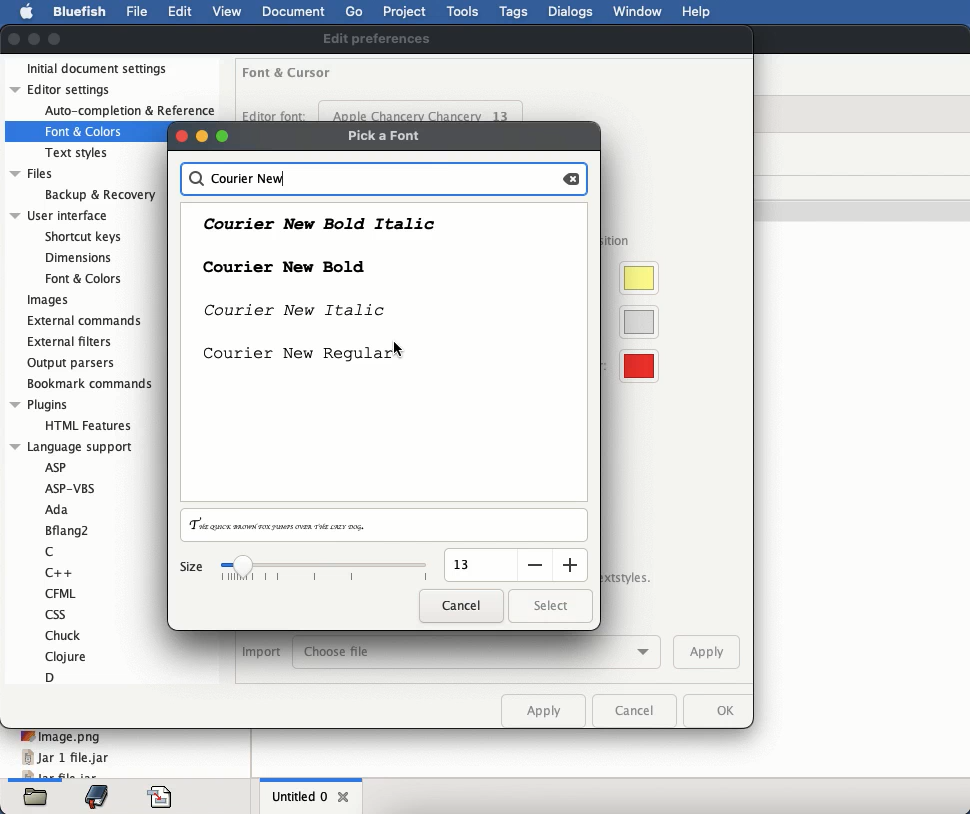 The width and height of the screenshot is (970, 814). What do you see at coordinates (85, 133) in the screenshot?
I see `Font & Colors` at bounding box center [85, 133].